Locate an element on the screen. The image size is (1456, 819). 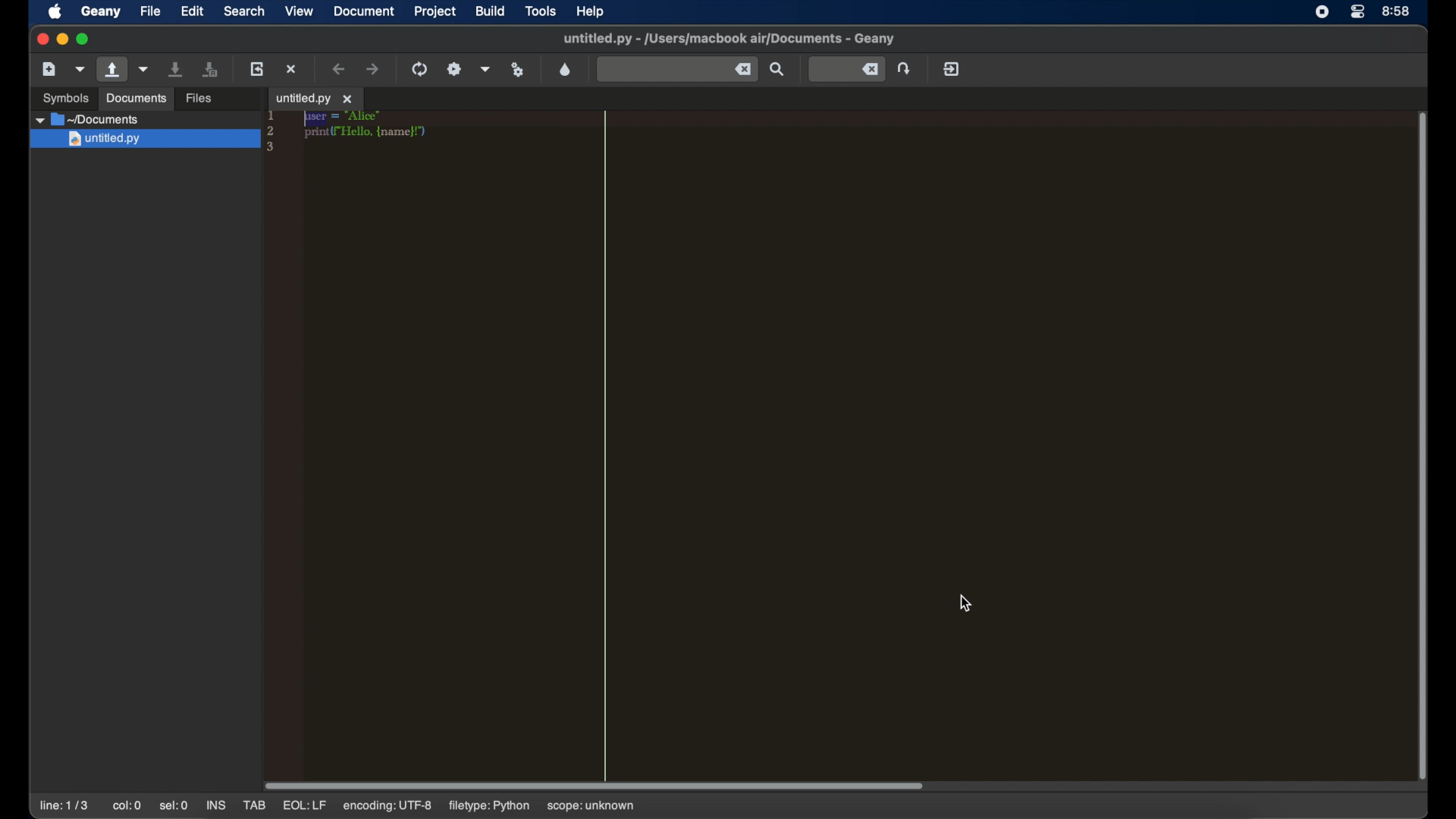
open existing file is located at coordinates (112, 69).